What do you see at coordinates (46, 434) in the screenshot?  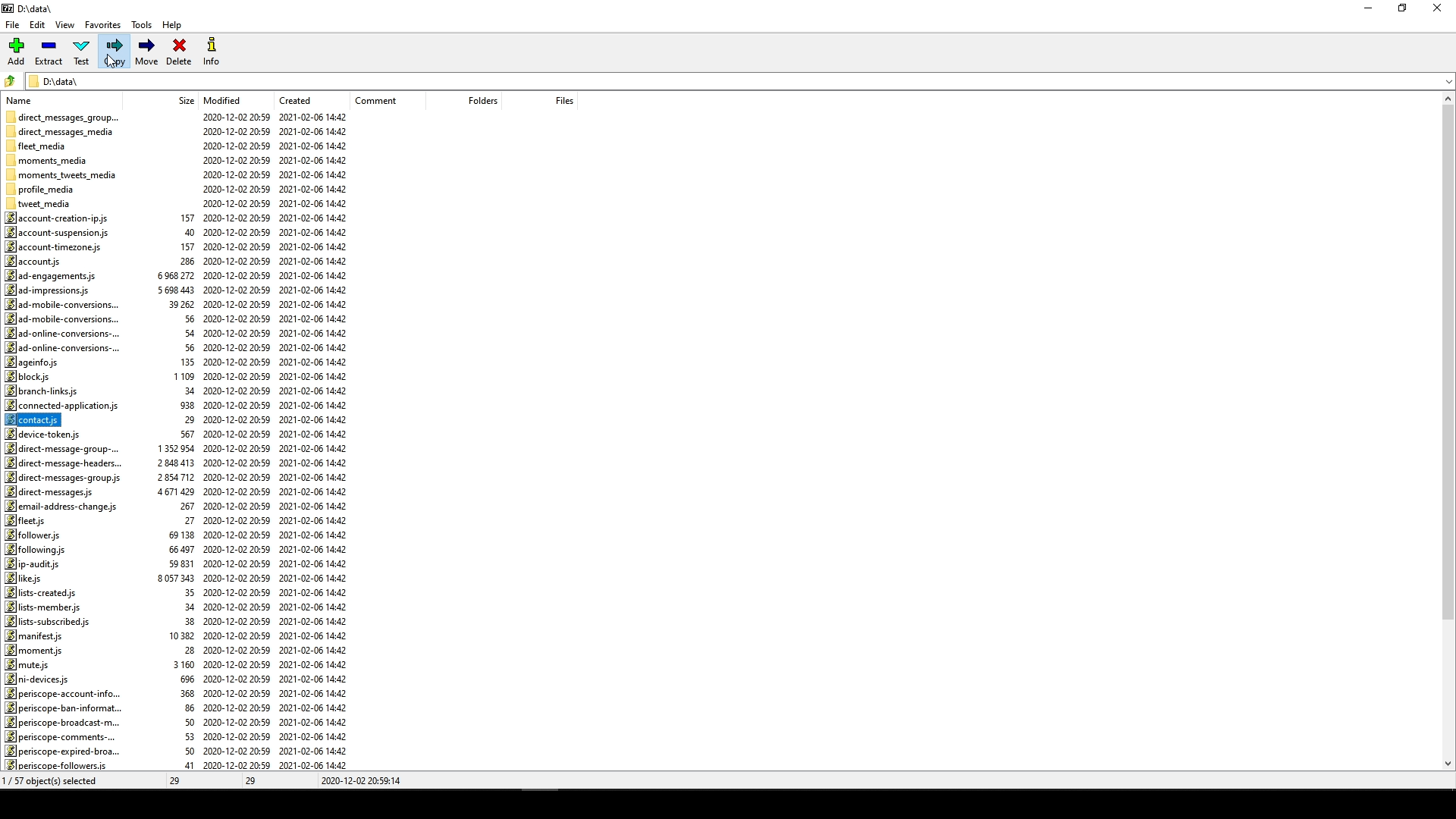 I see `device-token.js` at bounding box center [46, 434].